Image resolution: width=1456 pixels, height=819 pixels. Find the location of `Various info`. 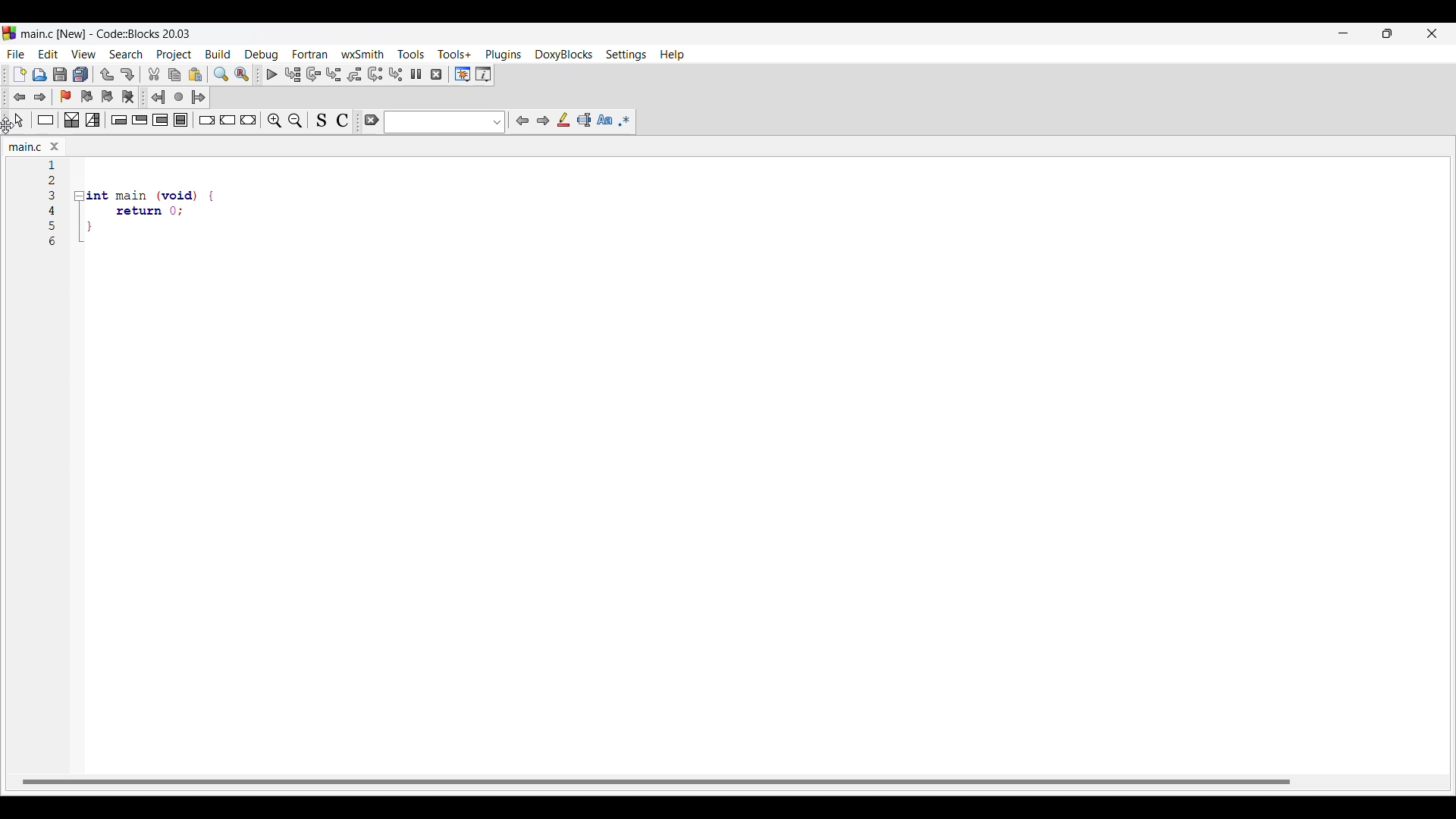

Various info is located at coordinates (484, 74).